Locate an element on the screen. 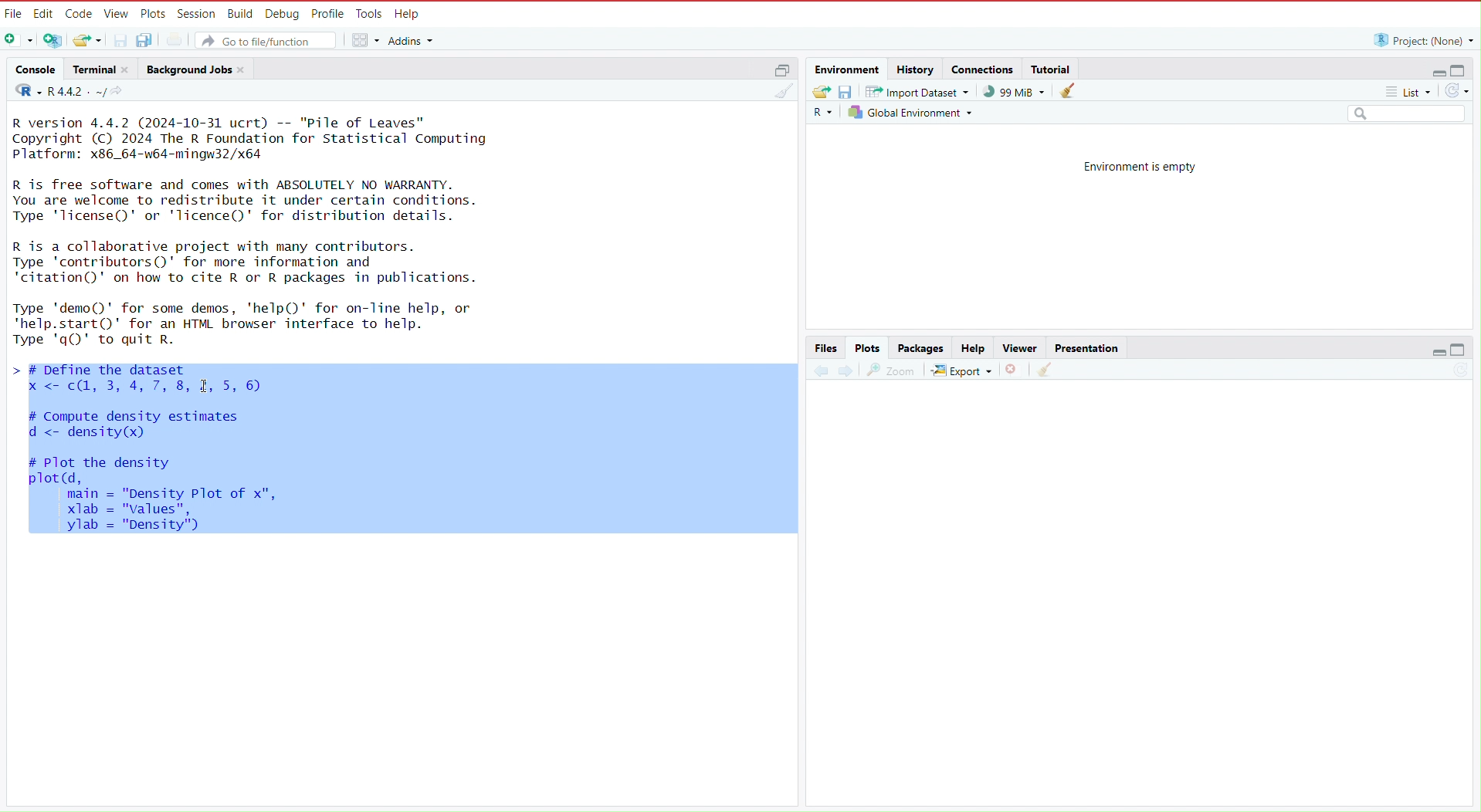 The width and height of the screenshot is (1481, 812). clear objects from the workspace is located at coordinates (1068, 90).